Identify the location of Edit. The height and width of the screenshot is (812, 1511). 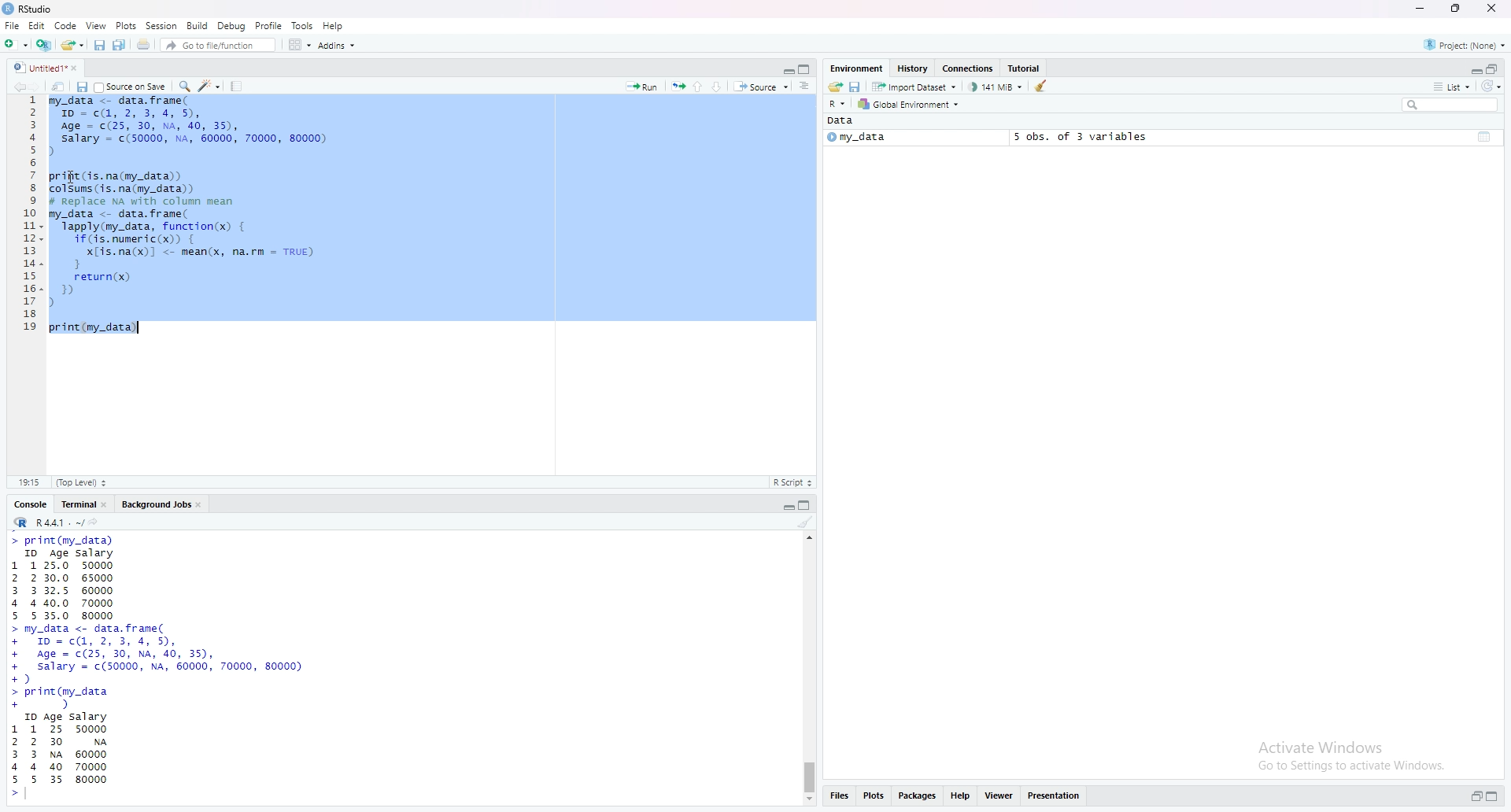
(37, 27).